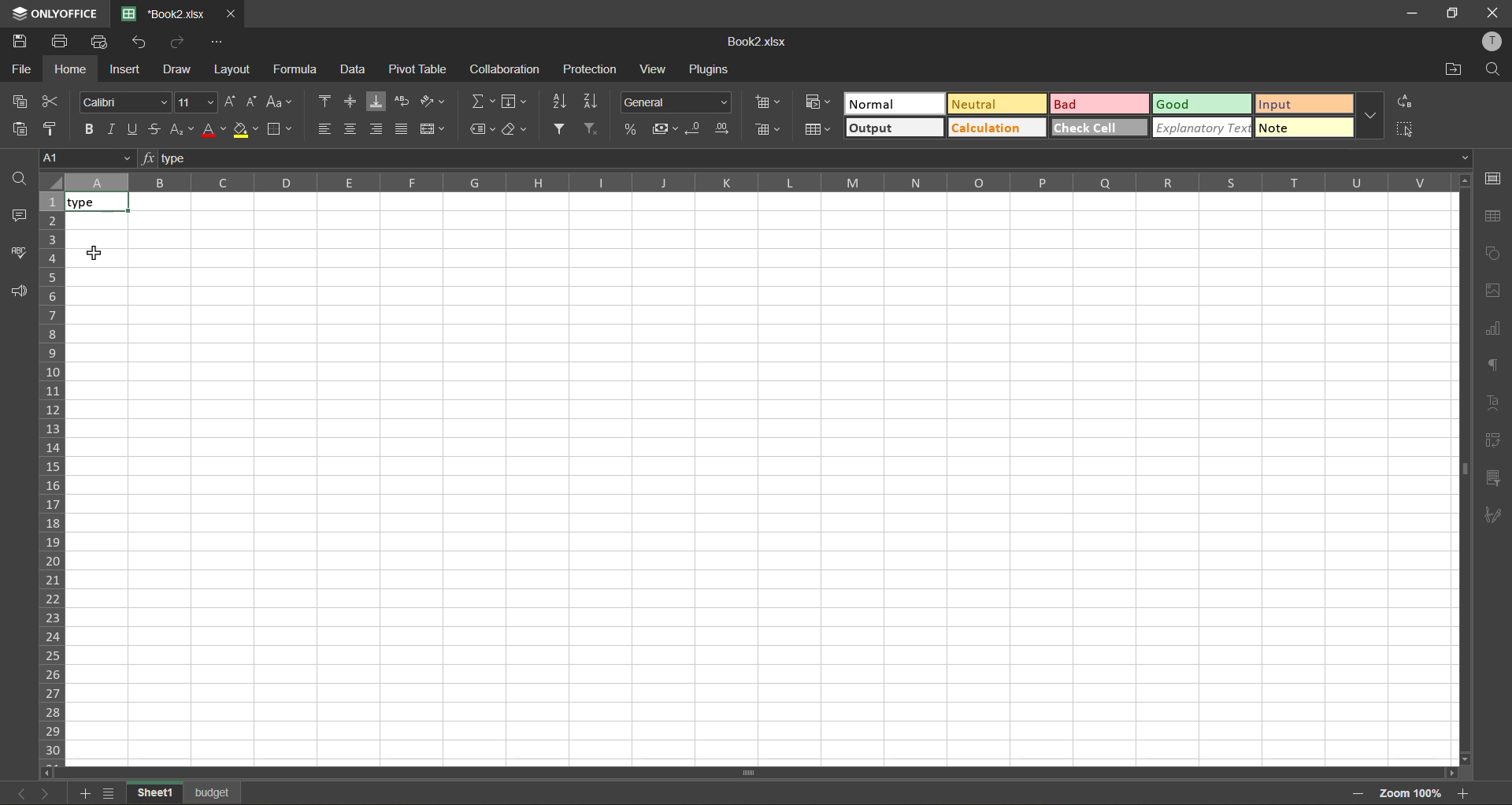 This screenshot has height=805, width=1512. I want to click on pivot table, so click(1494, 440).